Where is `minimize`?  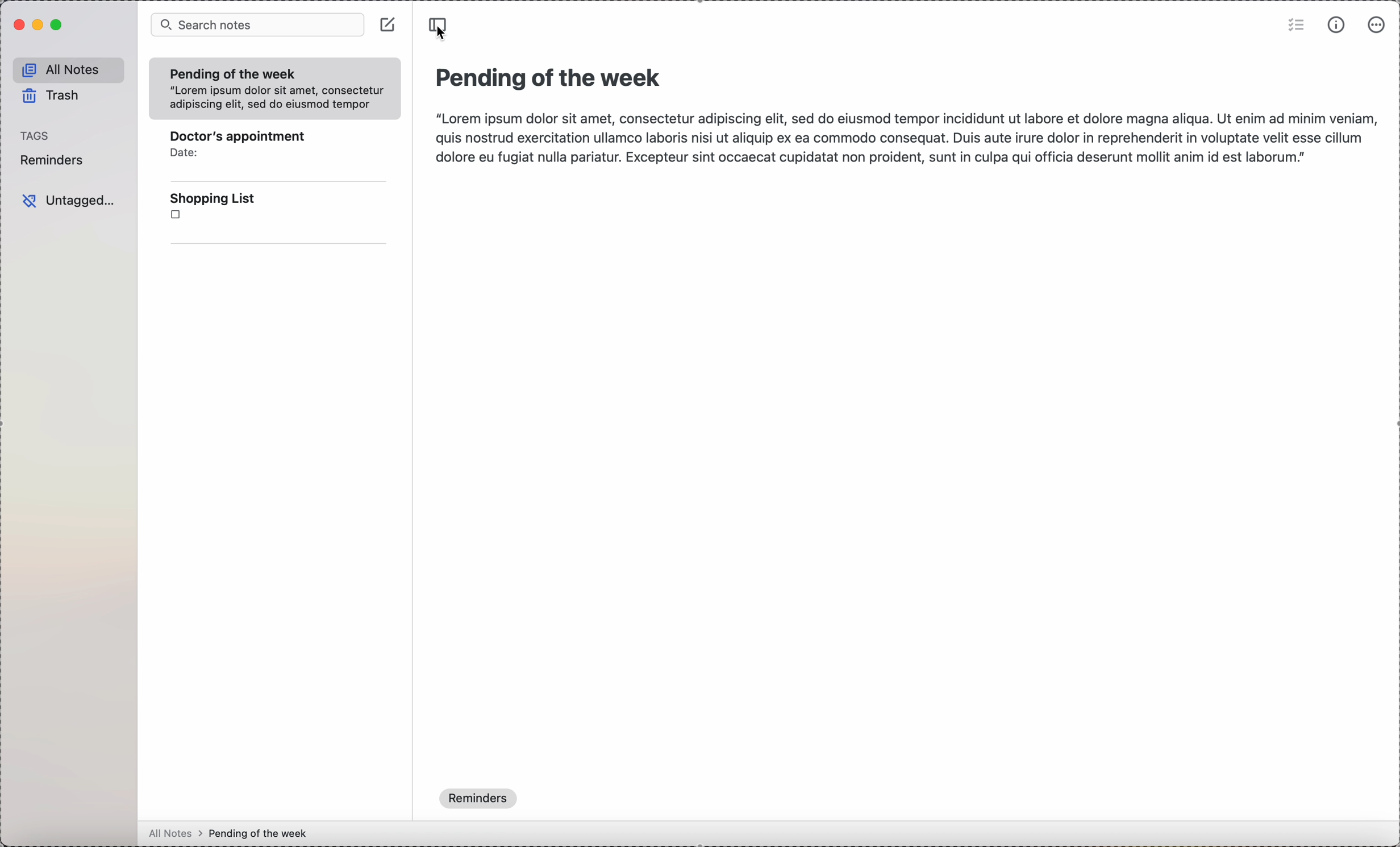 minimize is located at coordinates (41, 24).